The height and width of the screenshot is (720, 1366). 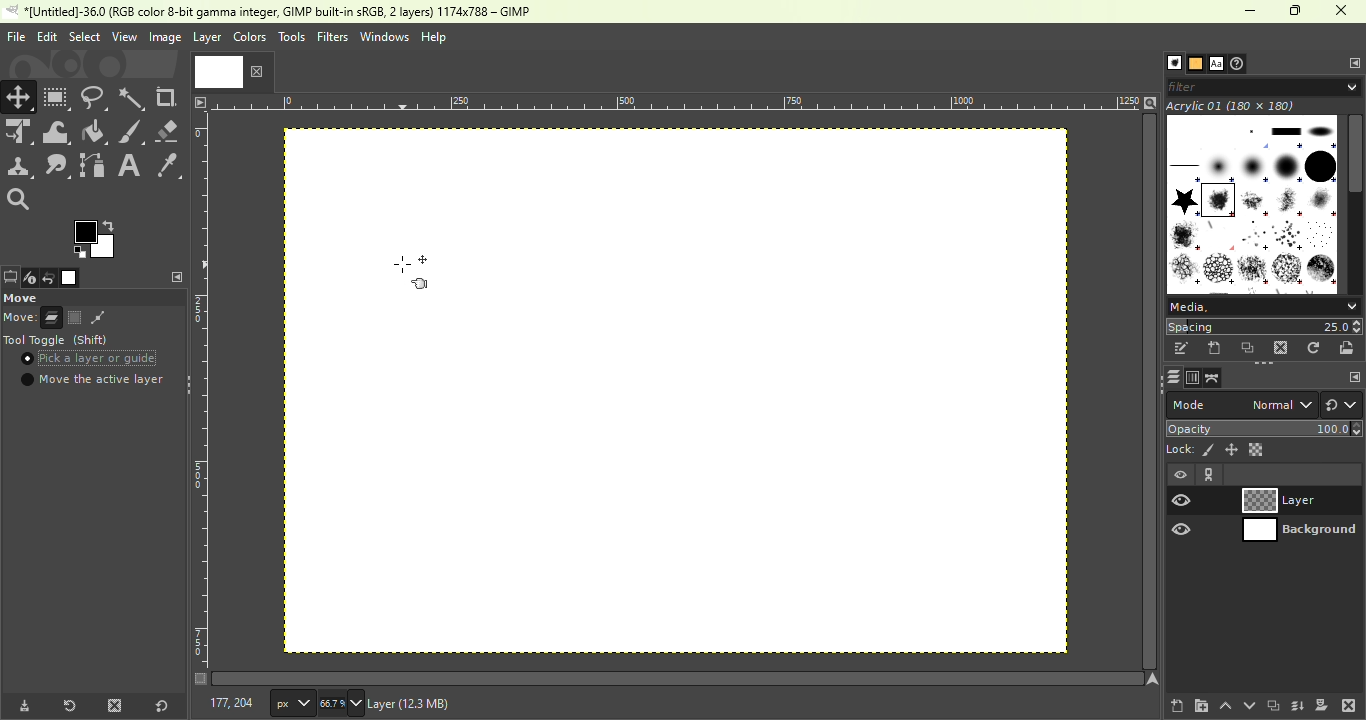 I want to click on The active background color, so click(x=97, y=237).